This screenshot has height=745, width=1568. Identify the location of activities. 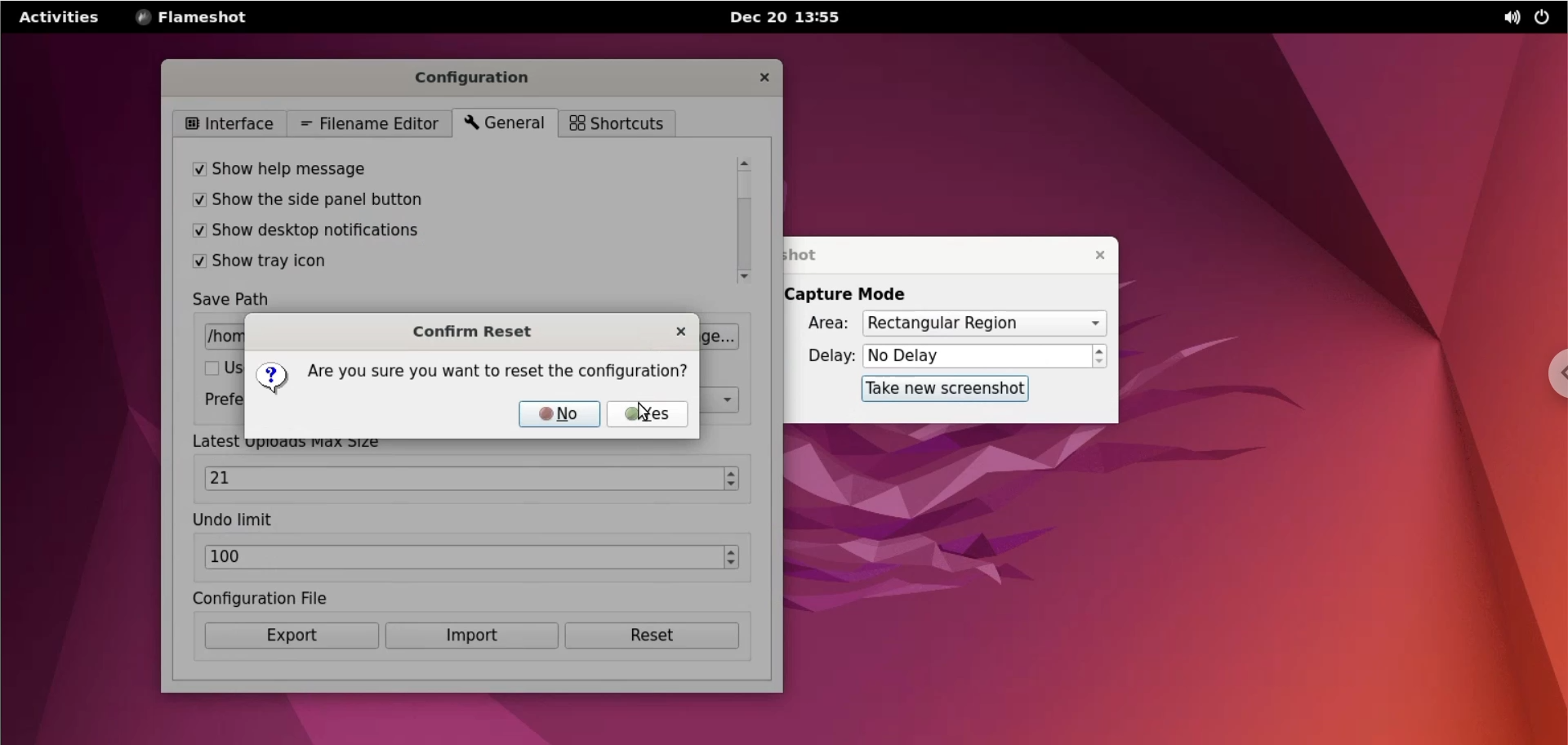
(61, 16).